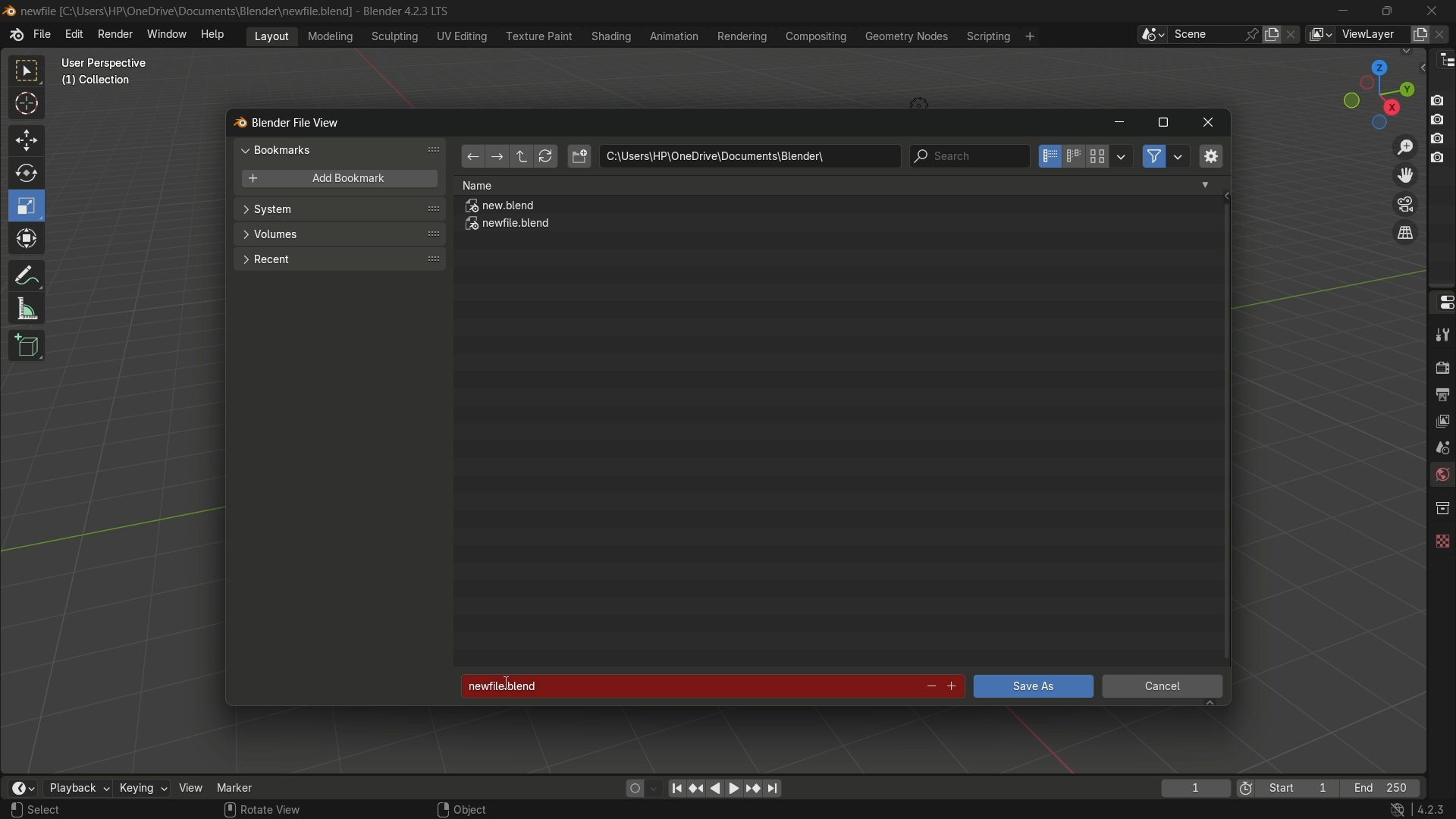  What do you see at coordinates (1374, 91) in the screenshot?
I see `preset view` at bounding box center [1374, 91].